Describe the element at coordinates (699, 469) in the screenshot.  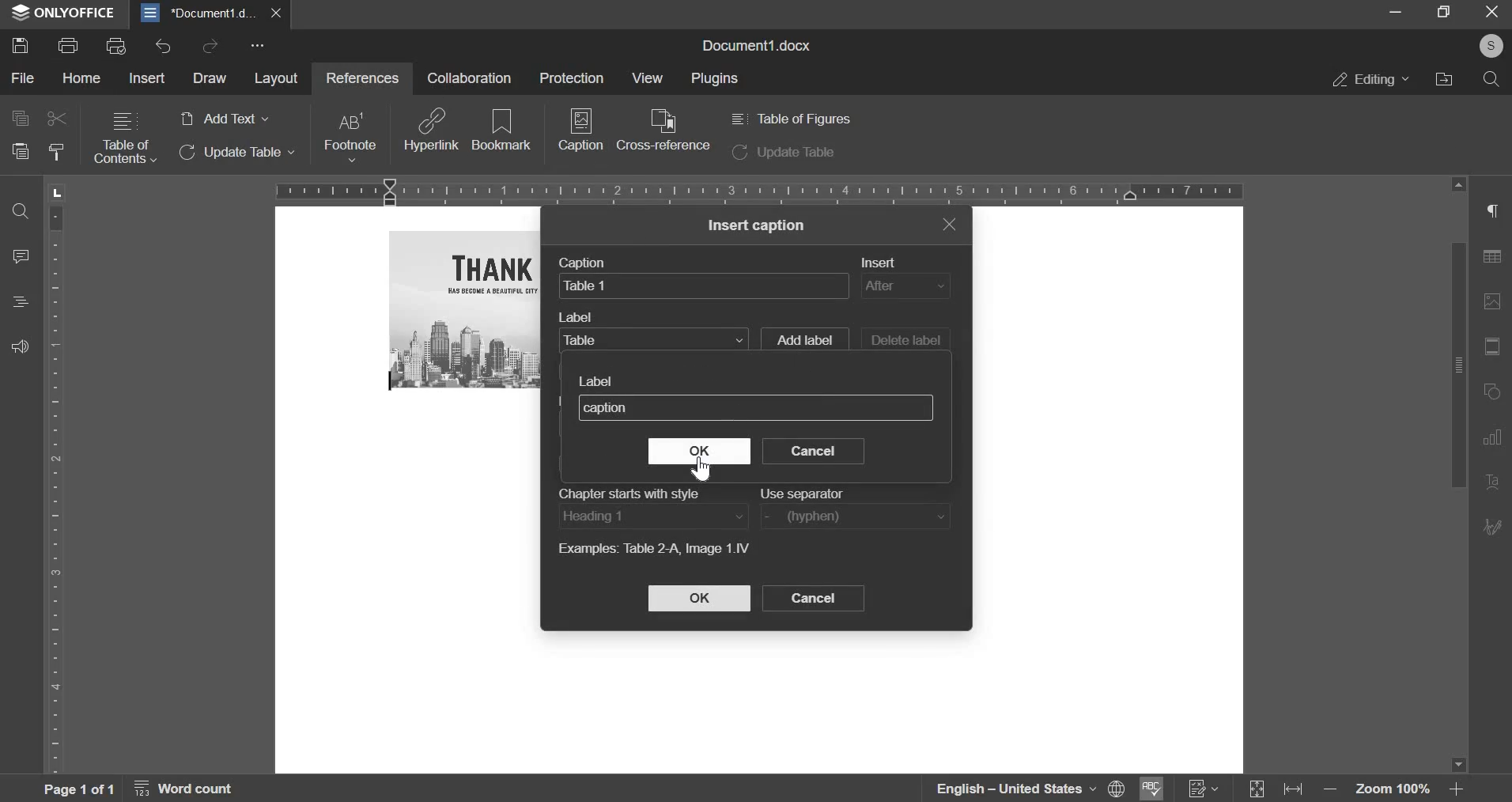
I see `mouse pointer` at that location.